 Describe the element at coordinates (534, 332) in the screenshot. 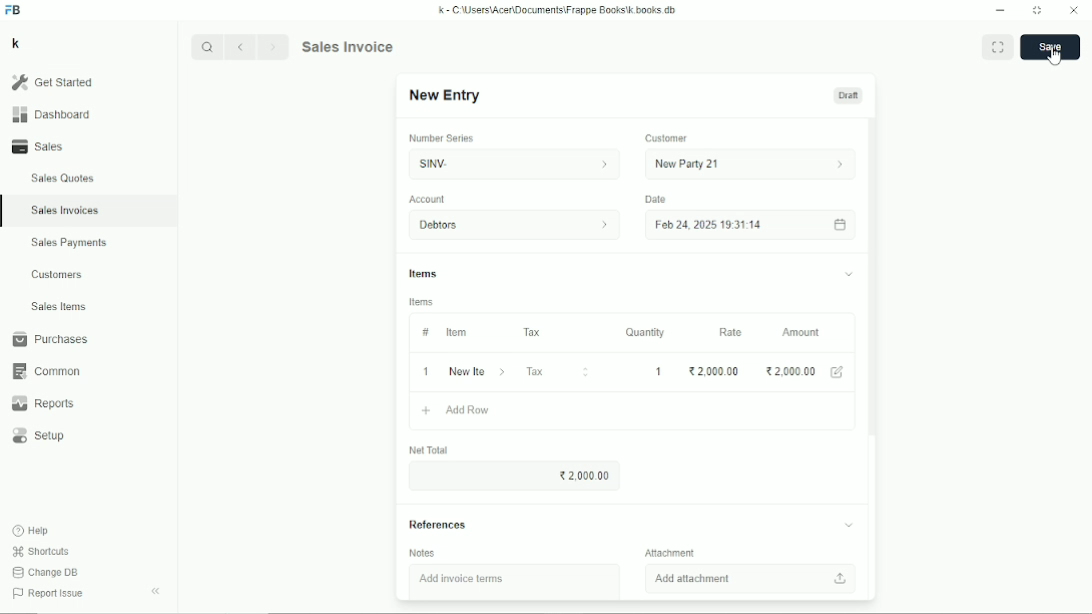

I see `Tax` at that location.